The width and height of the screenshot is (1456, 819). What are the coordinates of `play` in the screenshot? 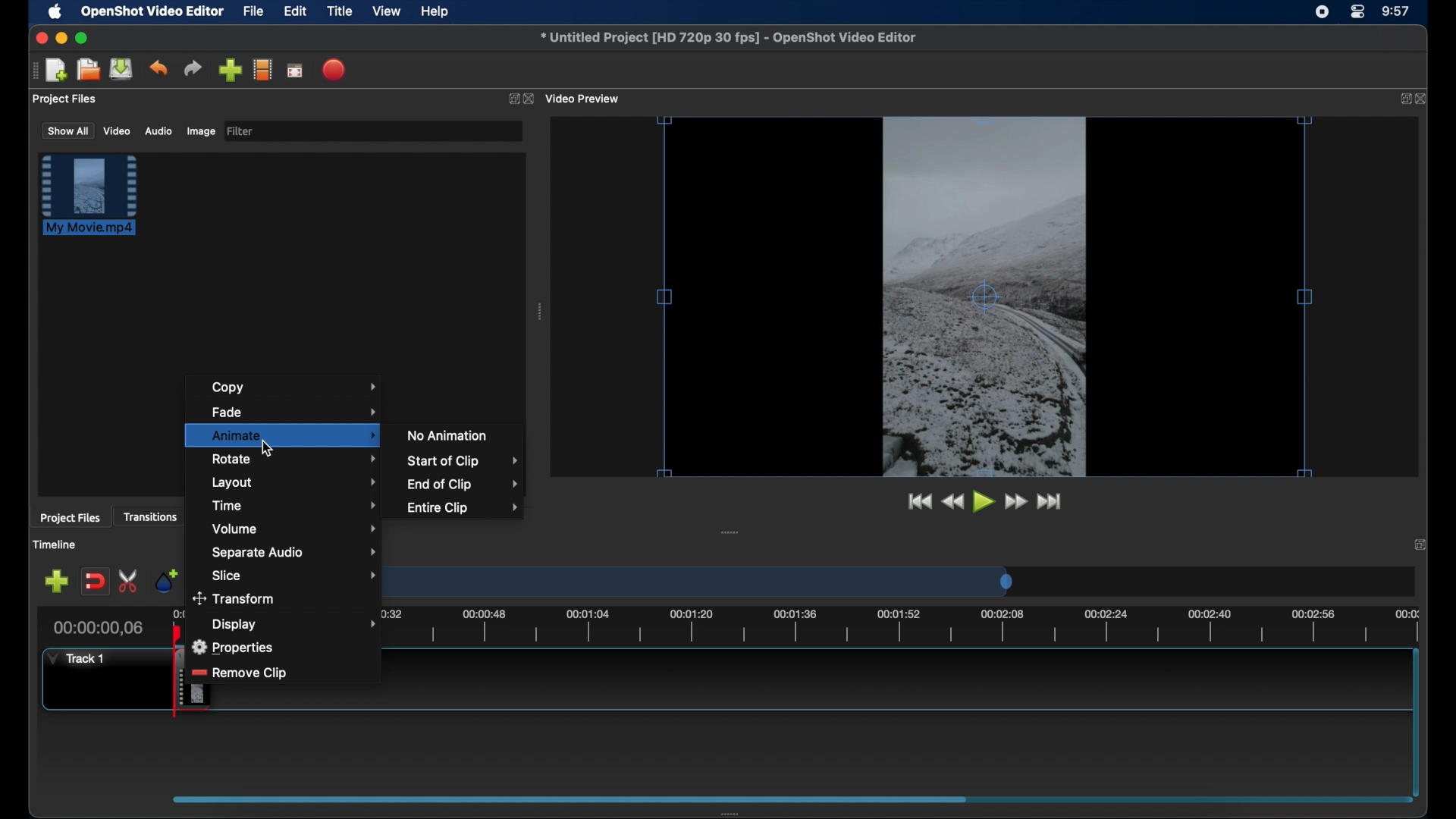 It's located at (984, 502).